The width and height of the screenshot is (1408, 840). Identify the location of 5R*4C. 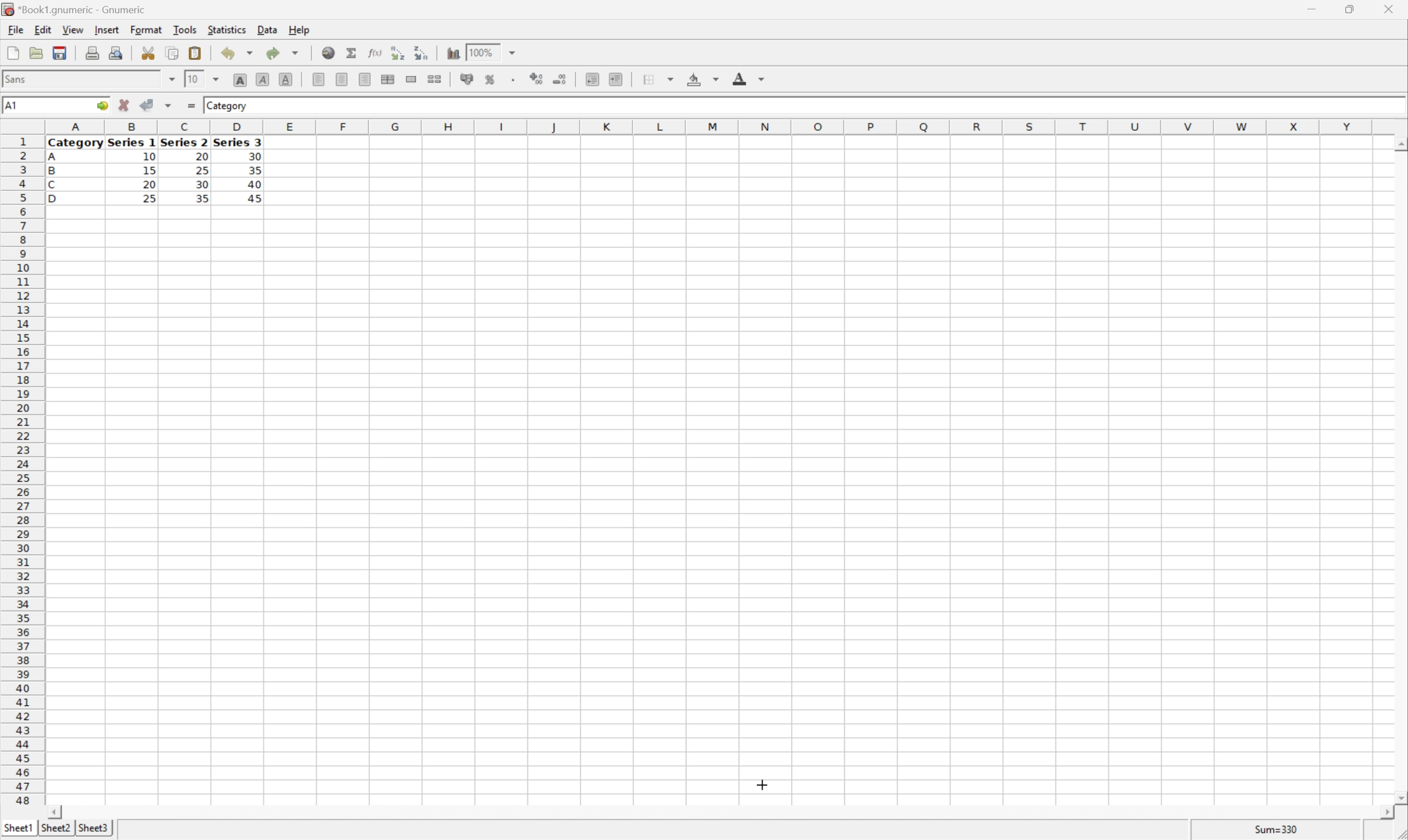
(24, 107).